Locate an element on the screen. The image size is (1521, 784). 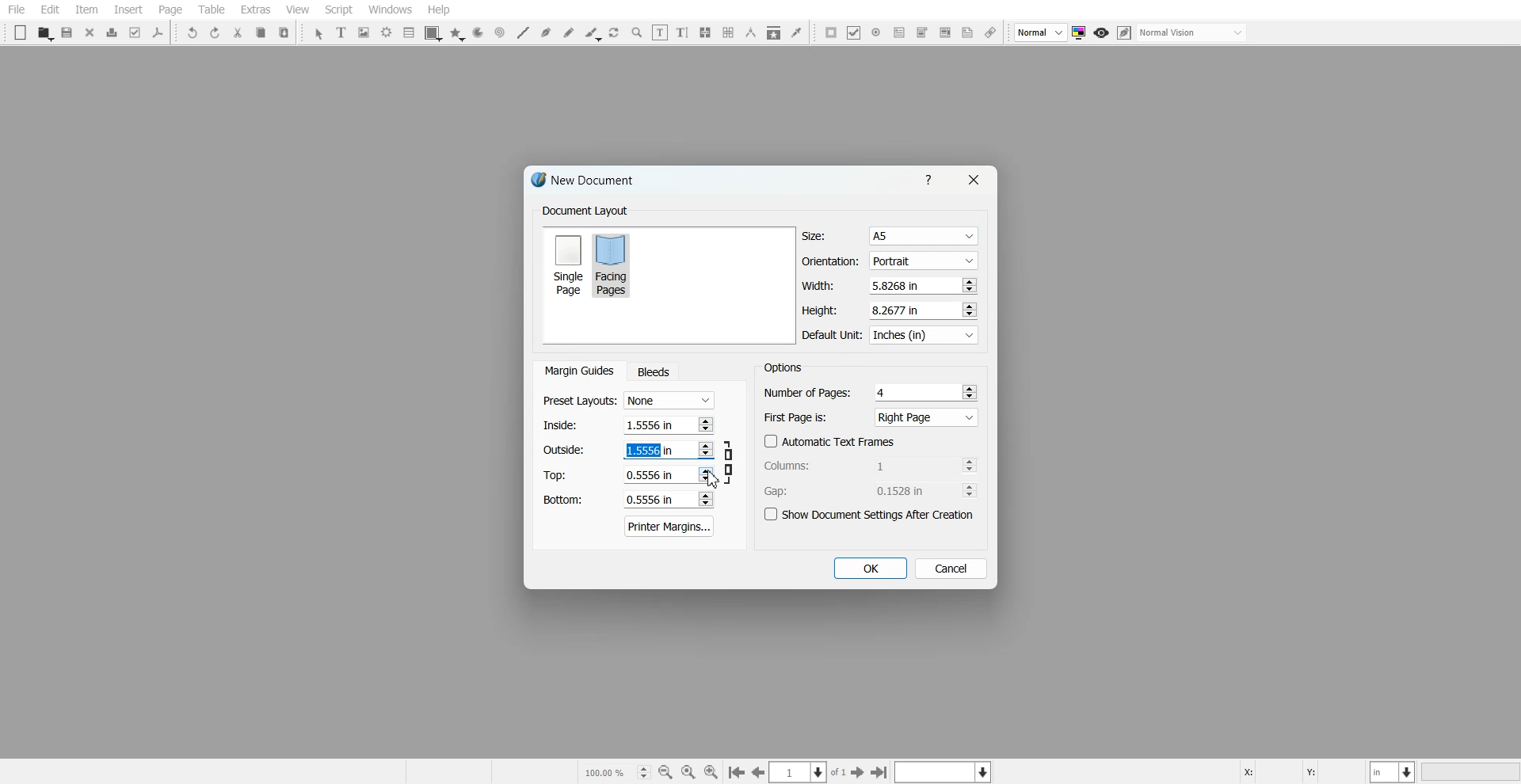
Polygon is located at coordinates (457, 34).